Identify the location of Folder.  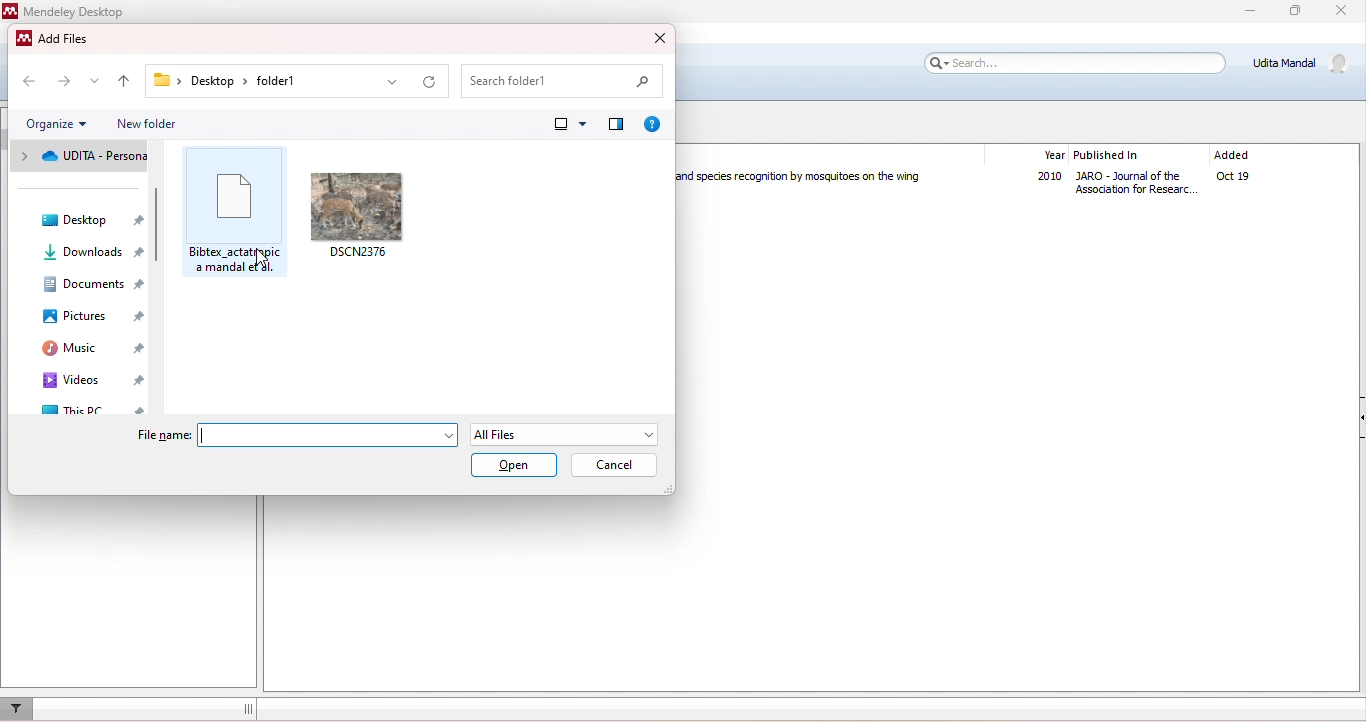
(162, 79).